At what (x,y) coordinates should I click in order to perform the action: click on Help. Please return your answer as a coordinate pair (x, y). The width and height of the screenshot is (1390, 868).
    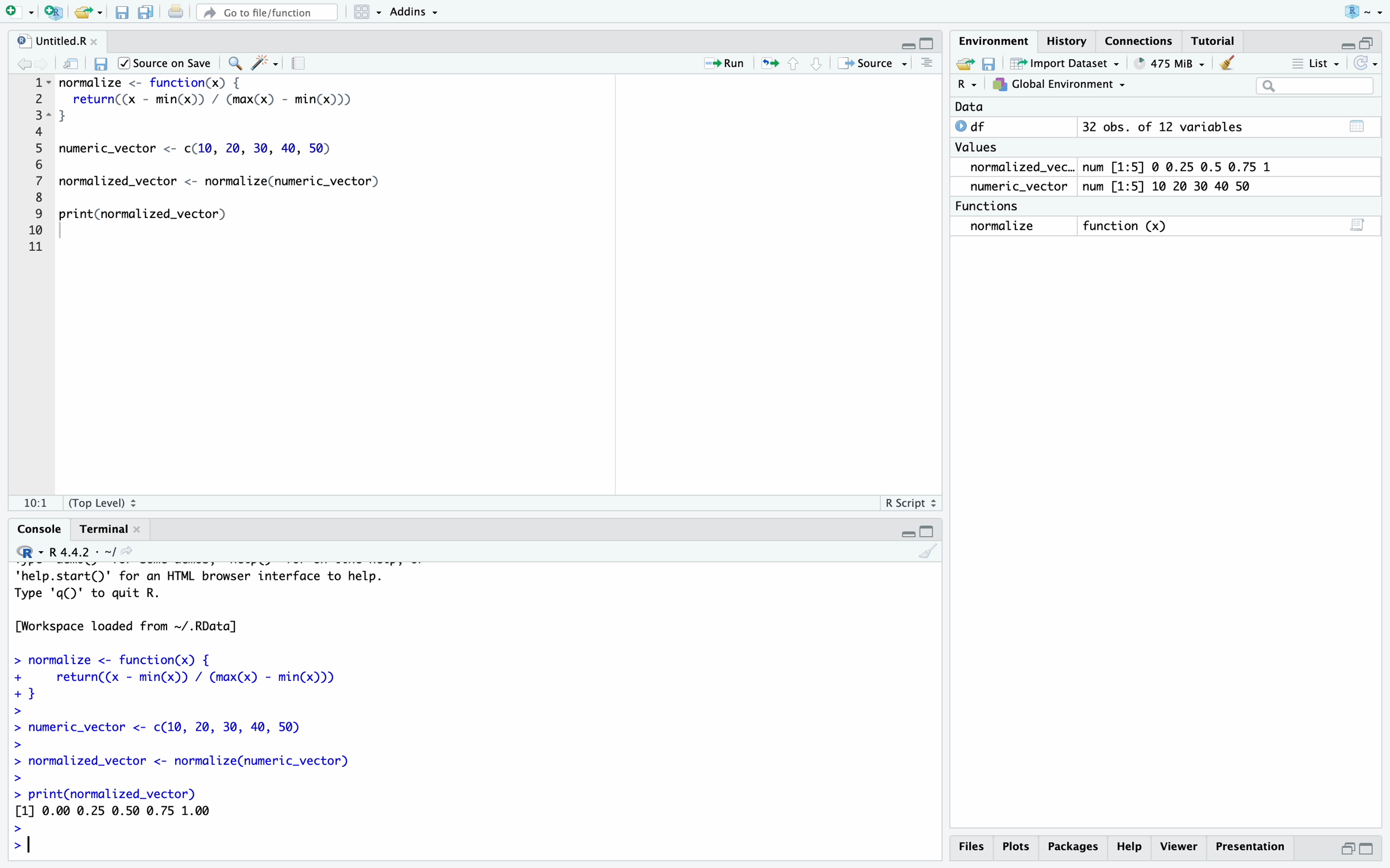
    Looking at the image, I should click on (1129, 847).